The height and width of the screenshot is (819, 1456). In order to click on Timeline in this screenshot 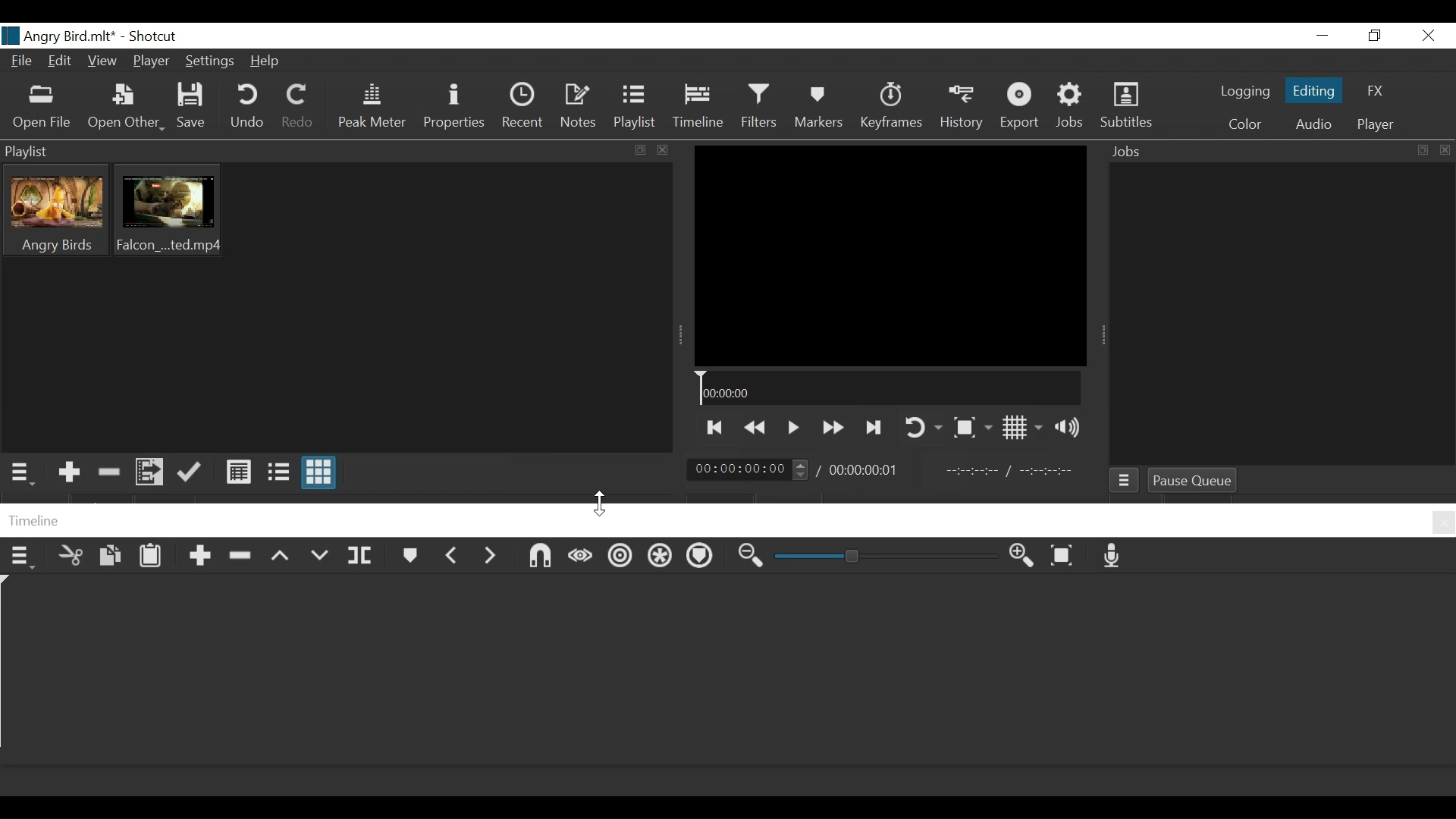, I will do `click(888, 389)`.